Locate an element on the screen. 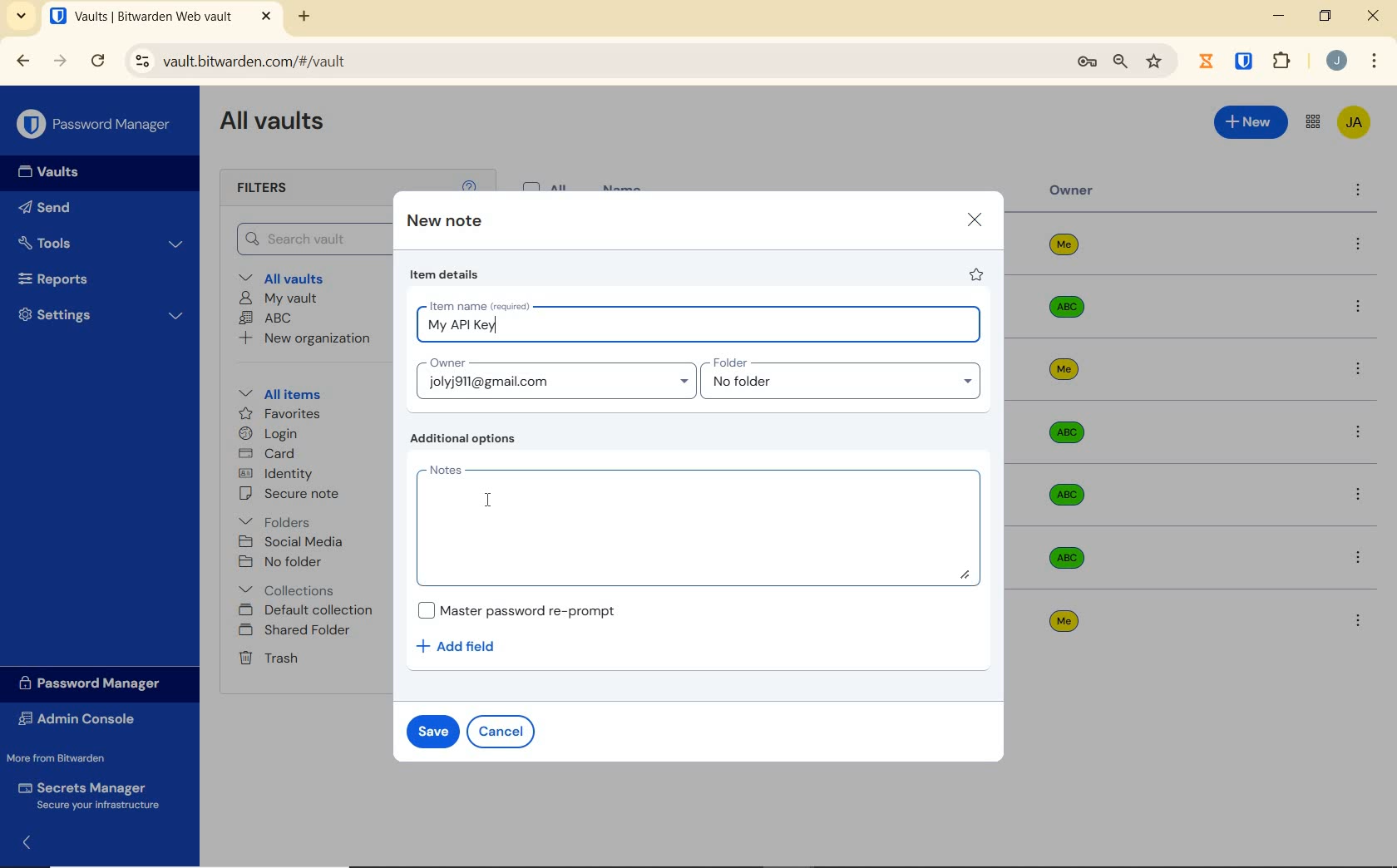 The width and height of the screenshot is (1397, 868). BITWARDEN is located at coordinates (1245, 62).